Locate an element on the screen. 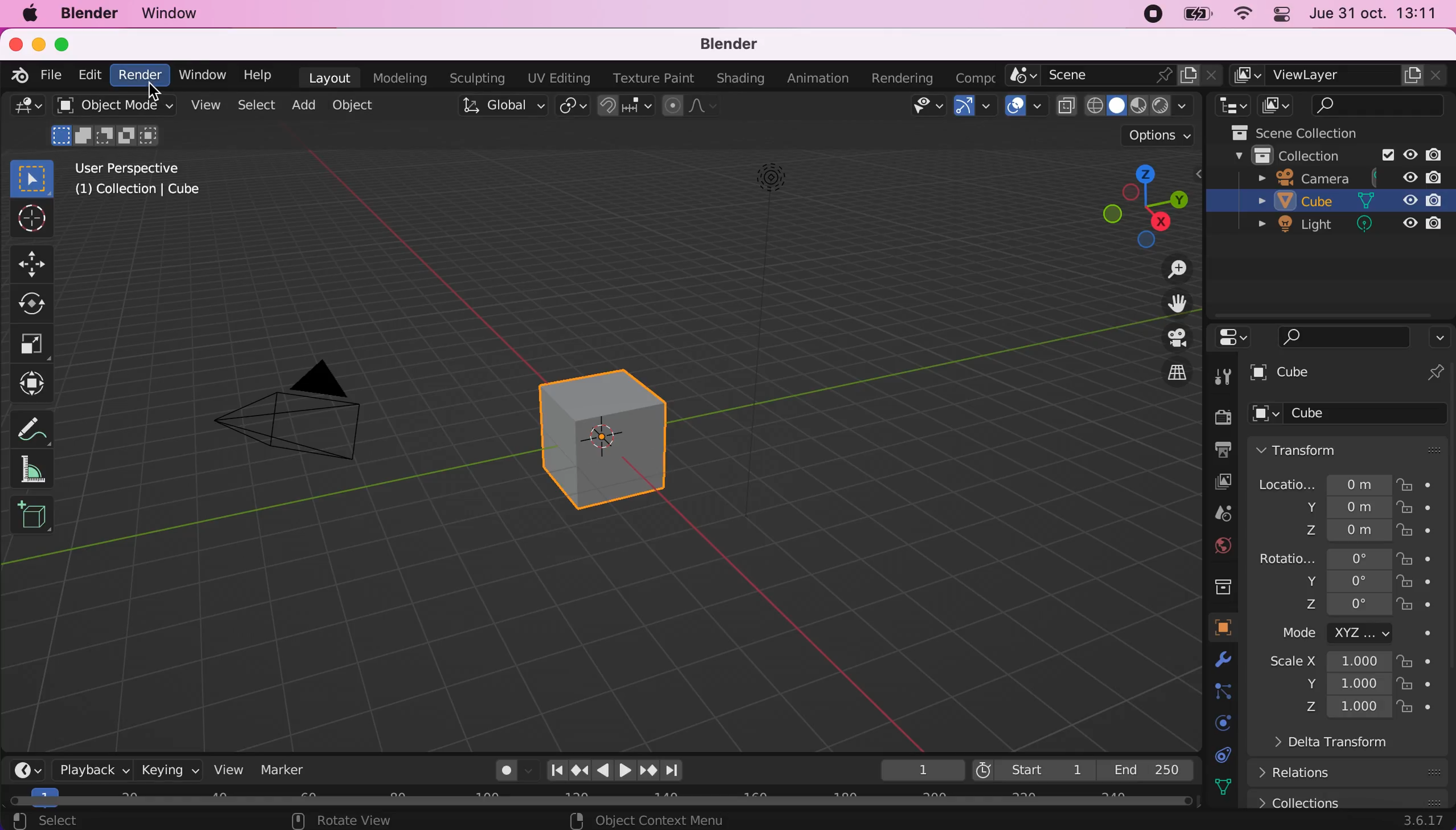  search bar is located at coordinates (1335, 337).